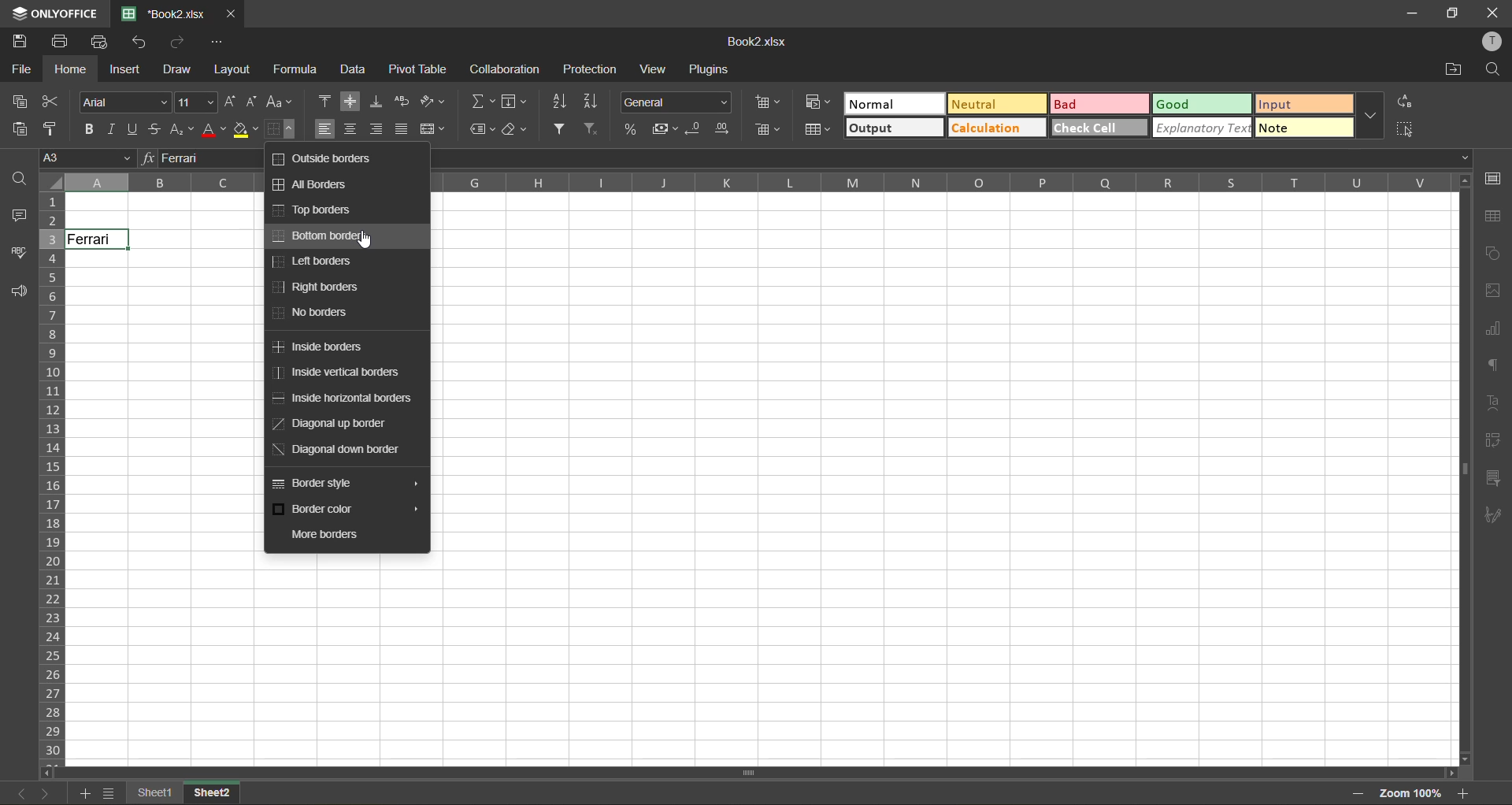 Image resolution: width=1512 pixels, height=805 pixels. I want to click on next, so click(46, 793).